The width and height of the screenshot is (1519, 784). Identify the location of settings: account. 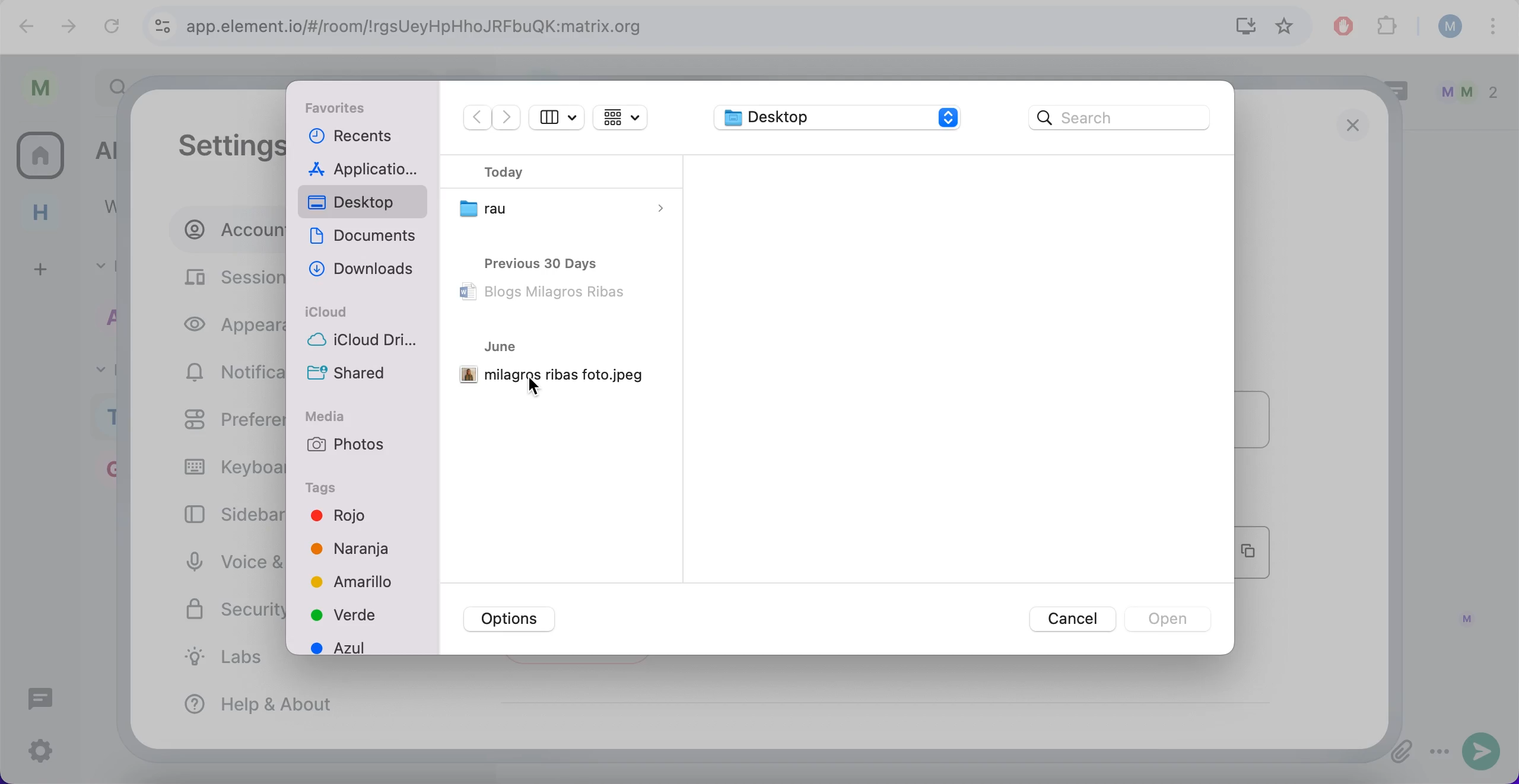
(221, 145).